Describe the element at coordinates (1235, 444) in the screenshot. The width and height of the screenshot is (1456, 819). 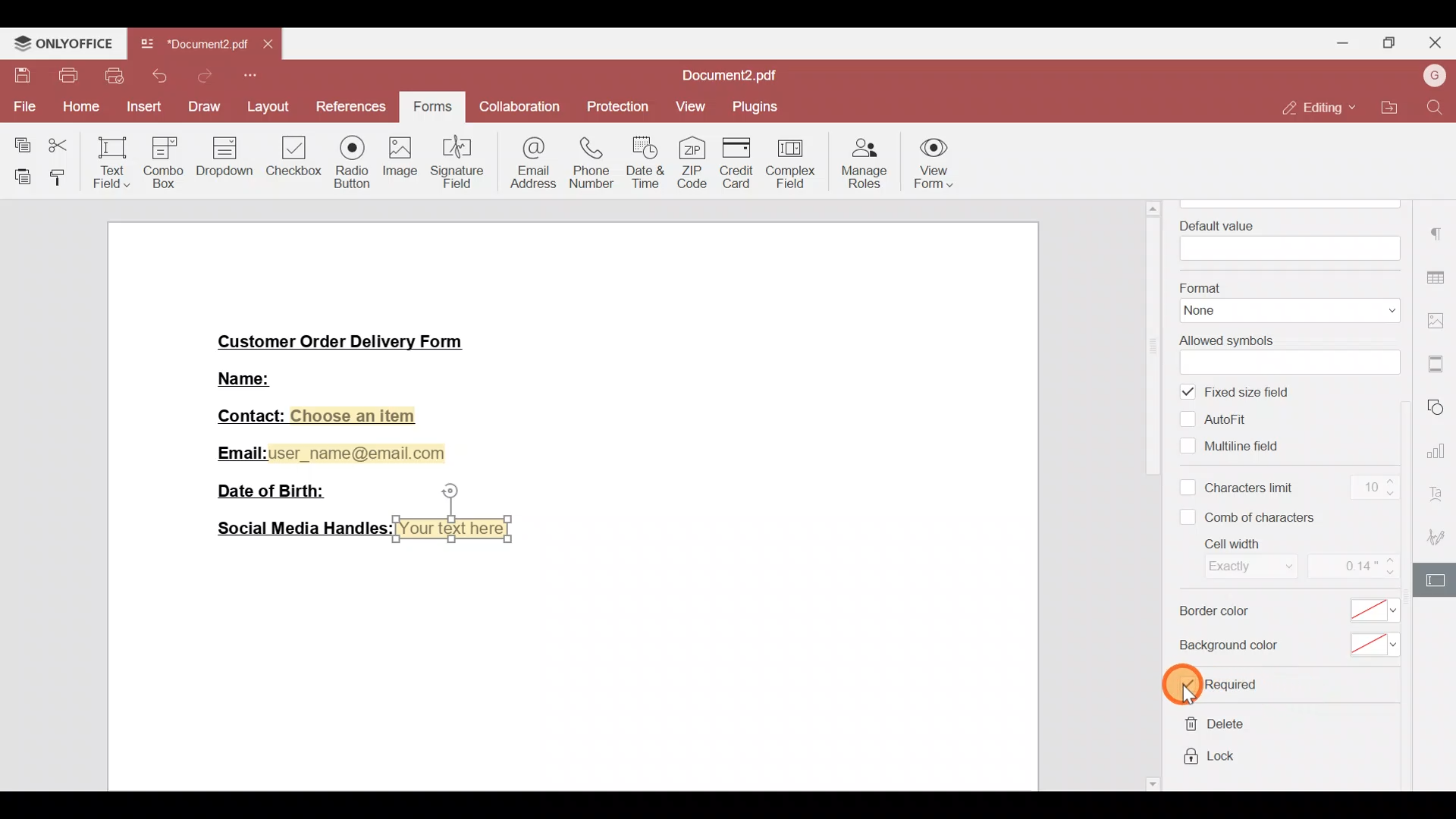
I see `Multiline field` at that location.